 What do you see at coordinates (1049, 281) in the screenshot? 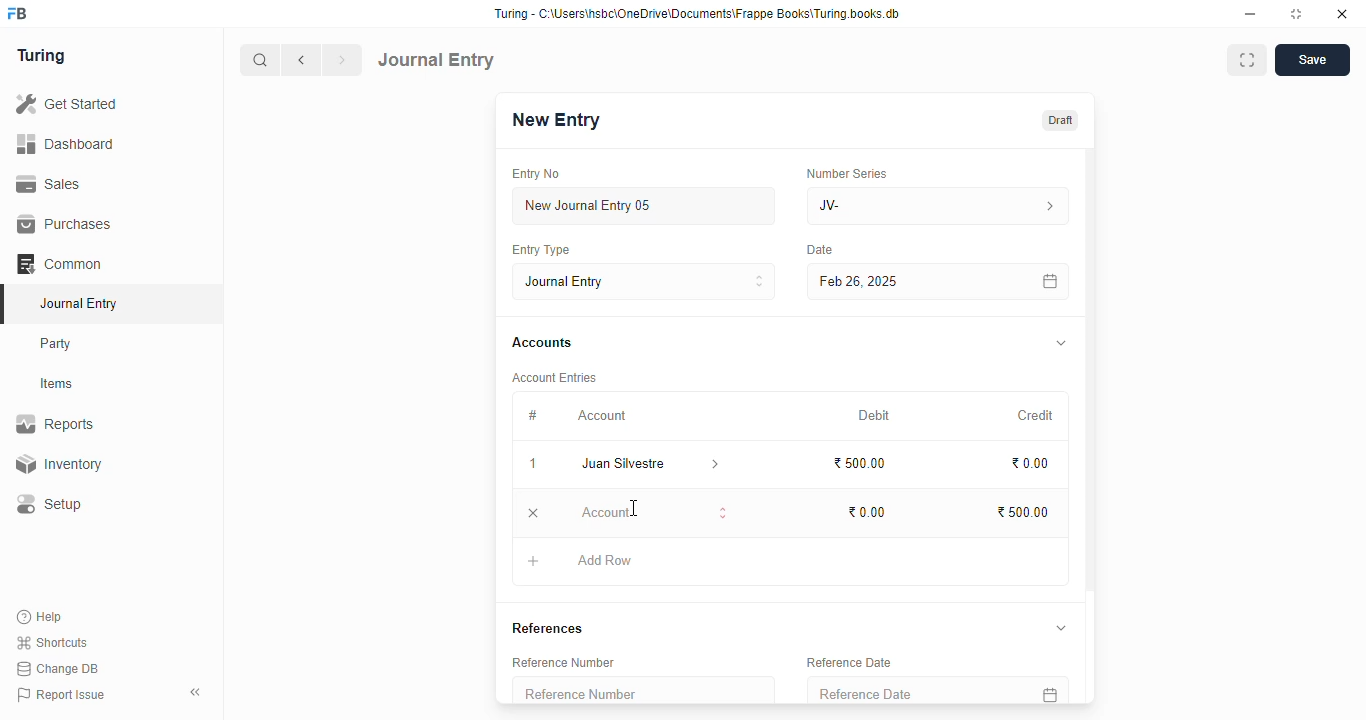
I see `calendar icon` at bounding box center [1049, 281].